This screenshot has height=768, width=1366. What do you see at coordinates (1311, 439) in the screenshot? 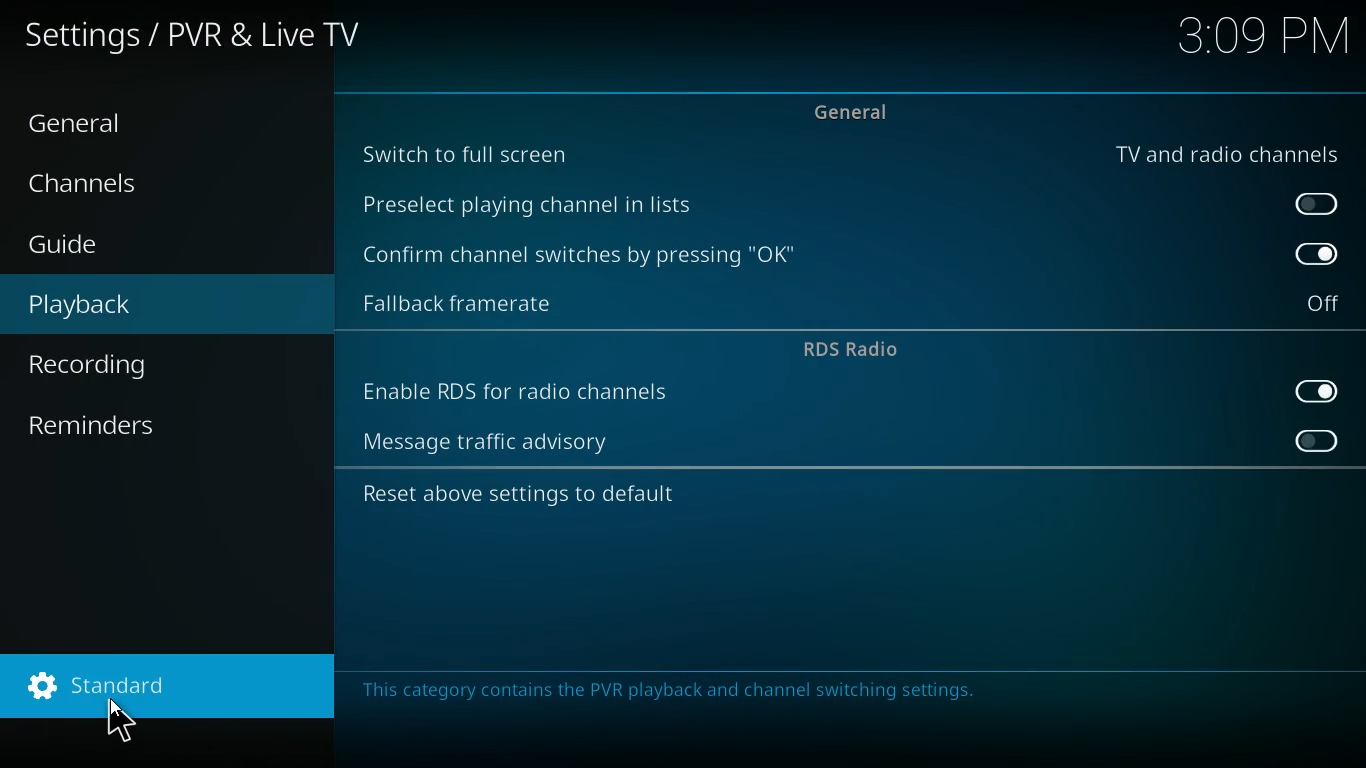
I see `off` at bounding box center [1311, 439].